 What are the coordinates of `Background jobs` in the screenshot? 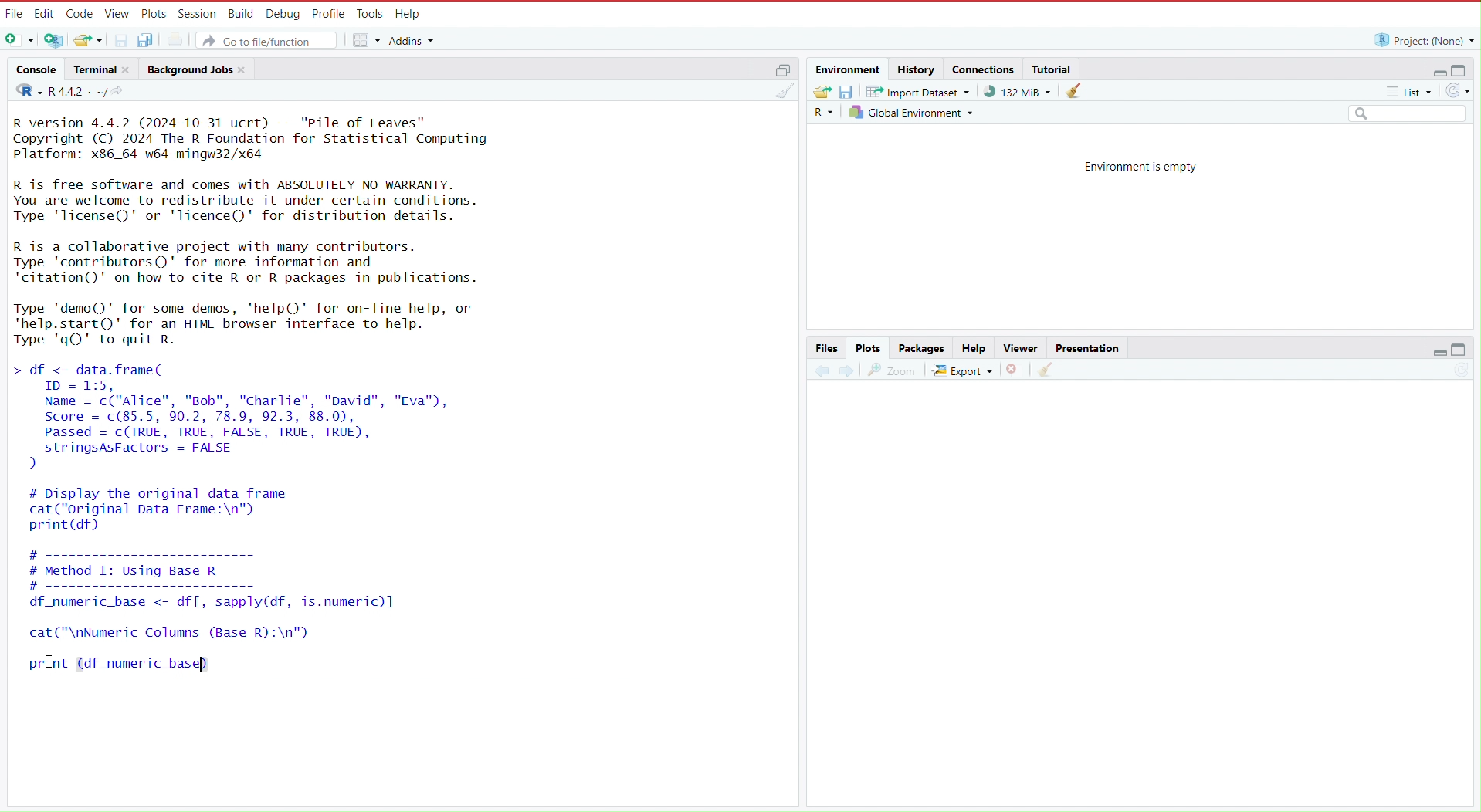 It's located at (188, 67).